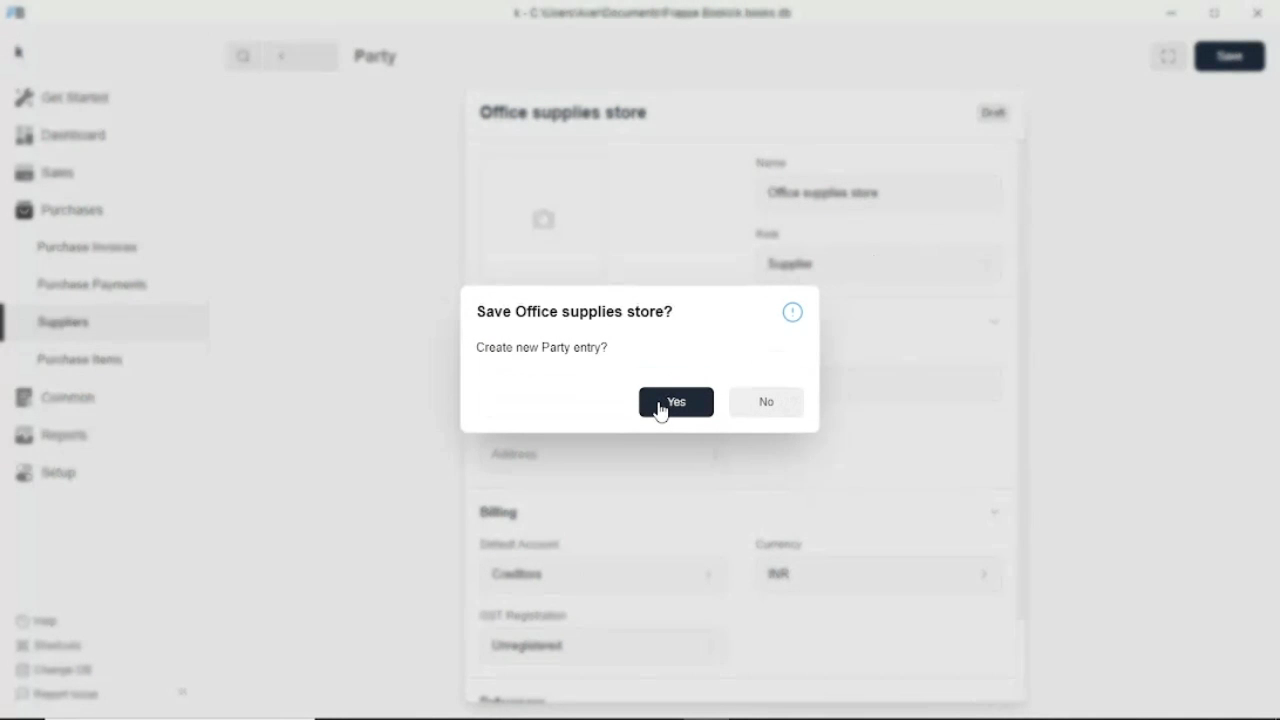 Image resolution: width=1280 pixels, height=720 pixels. I want to click on k, so click(19, 52).